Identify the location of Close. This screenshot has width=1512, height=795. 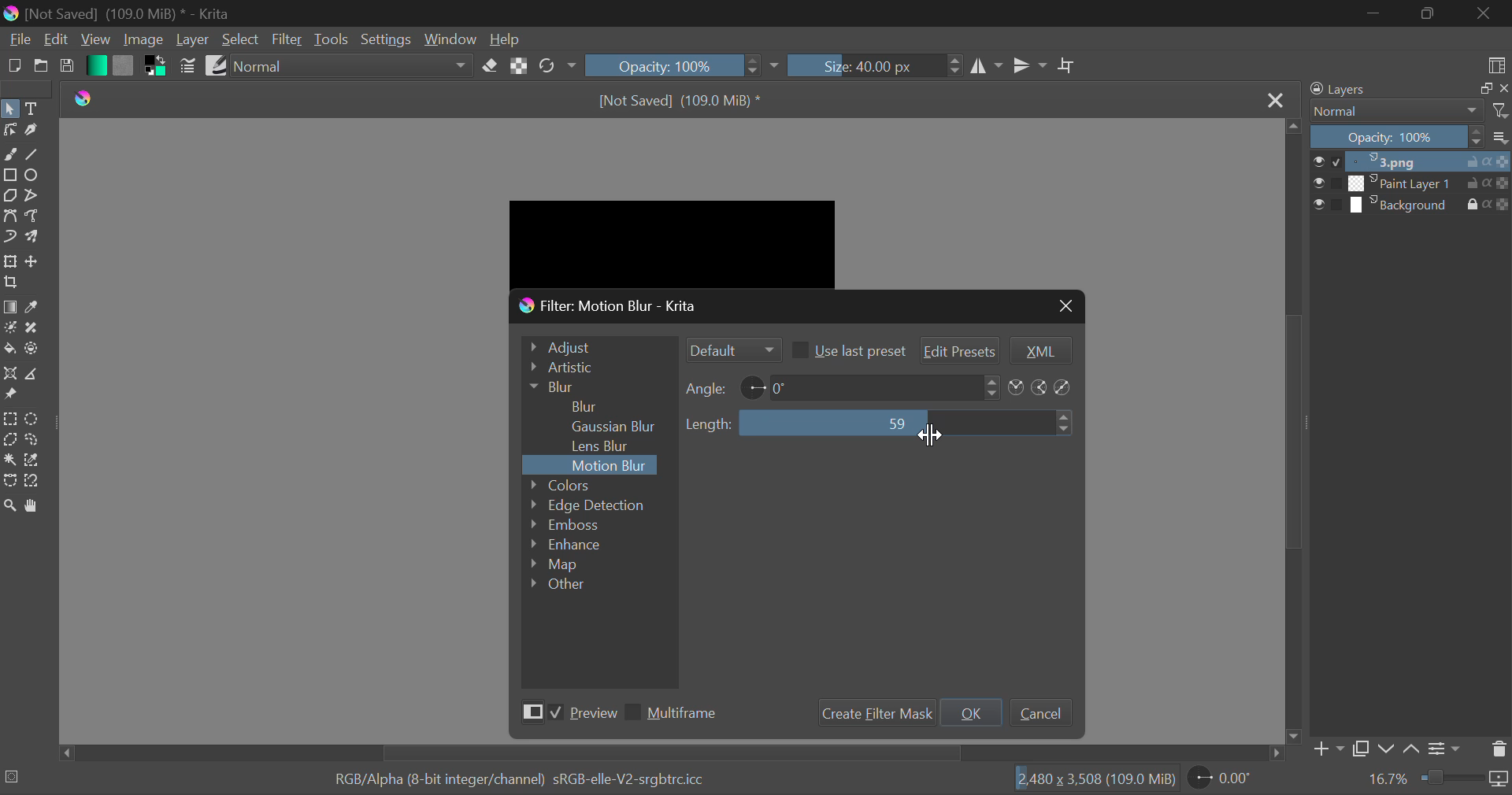
(1277, 102).